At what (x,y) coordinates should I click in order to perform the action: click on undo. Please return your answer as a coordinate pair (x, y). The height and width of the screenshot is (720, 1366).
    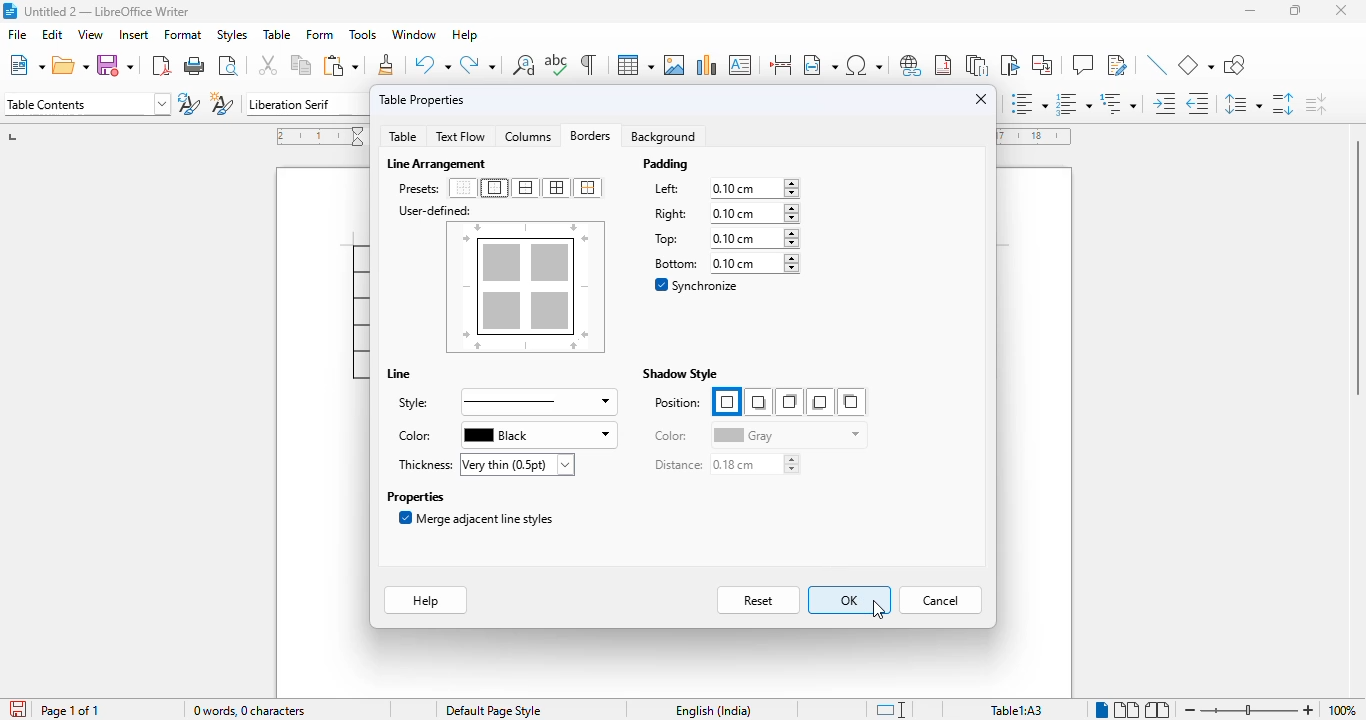
    Looking at the image, I should click on (433, 64).